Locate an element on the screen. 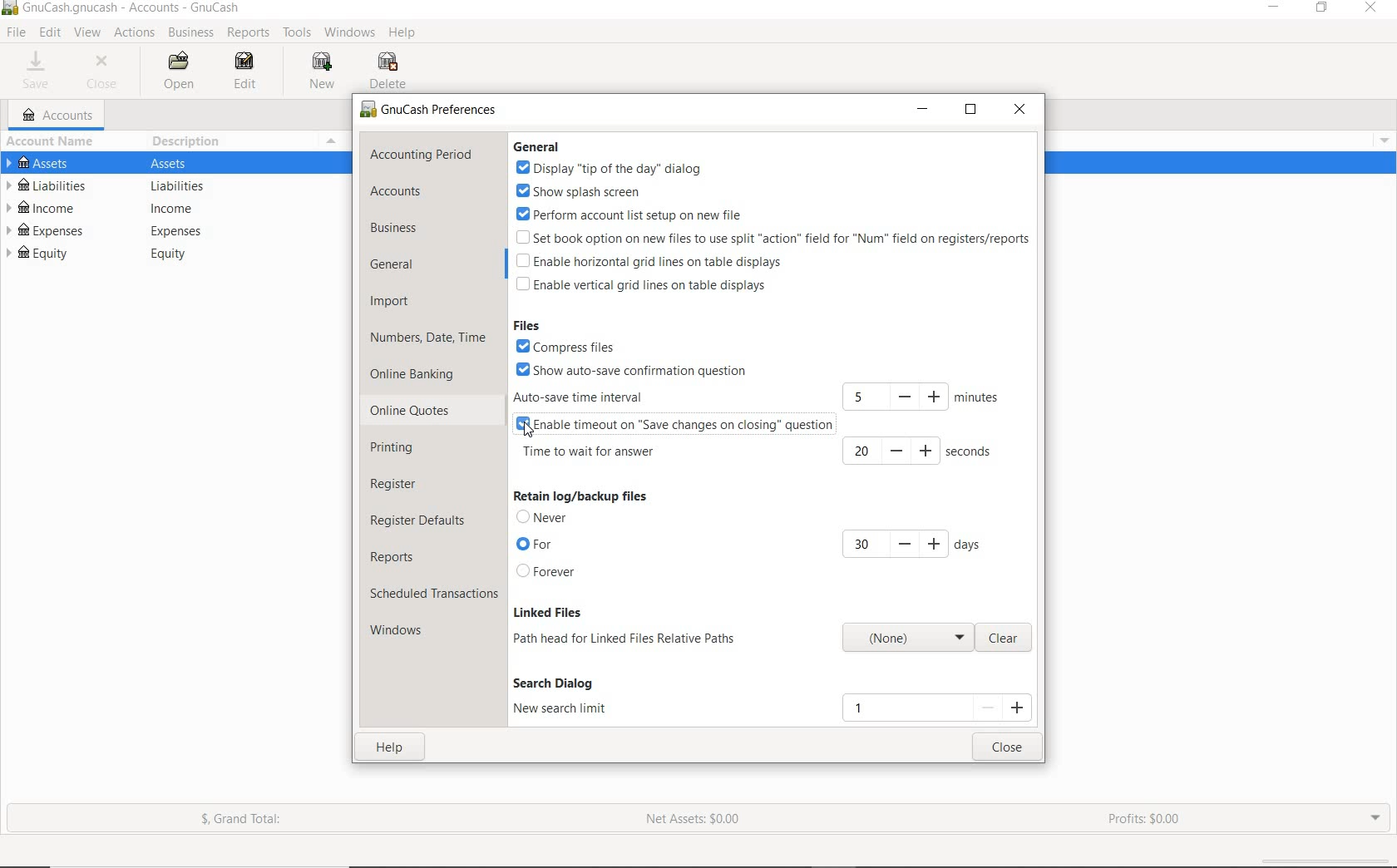 Image resolution: width=1397 pixels, height=868 pixels. clear is located at coordinates (1009, 637).